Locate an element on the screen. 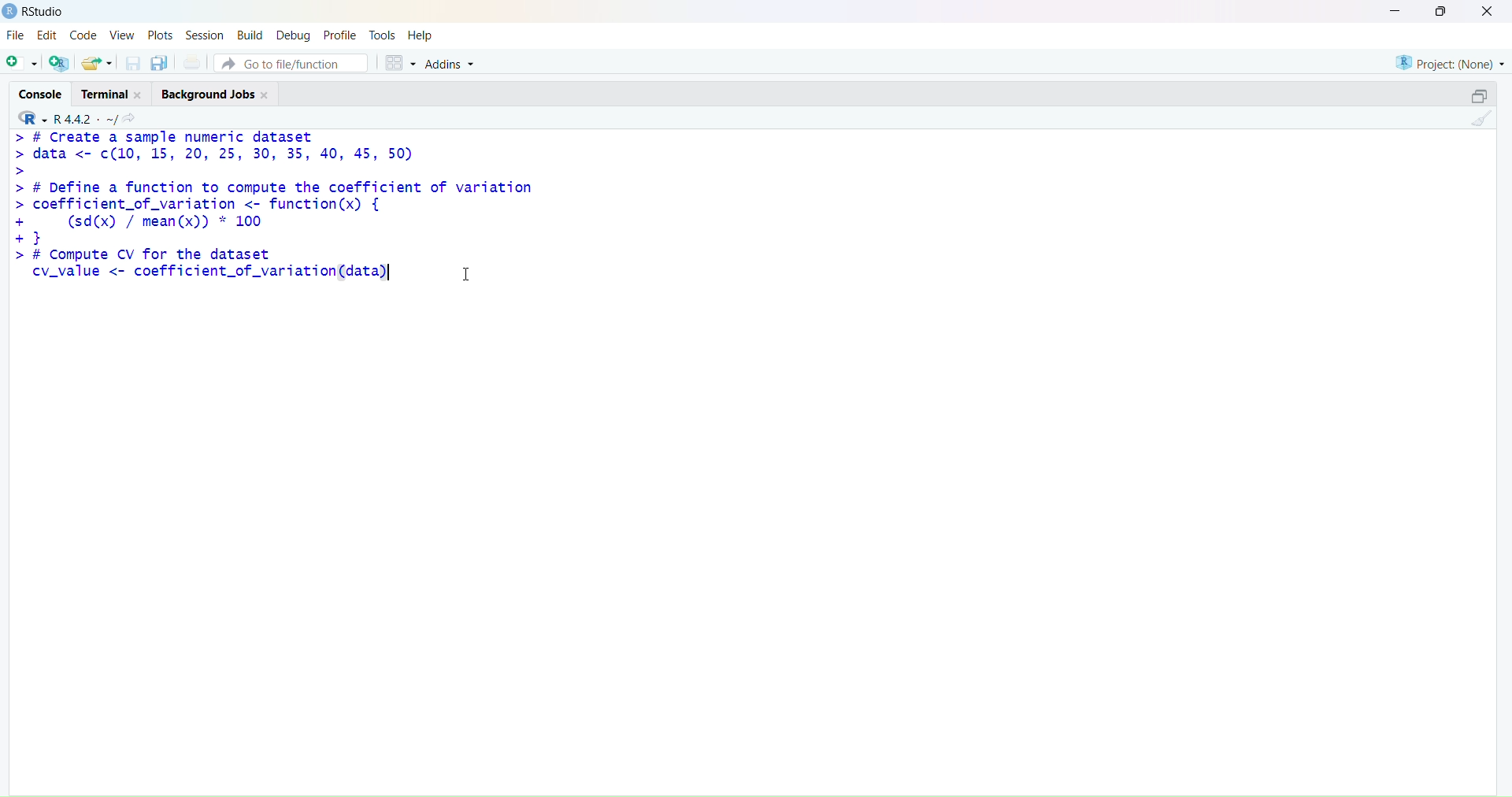 The width and height of the screenshot is (1512, 797). session is located at coordinates (205, 35).